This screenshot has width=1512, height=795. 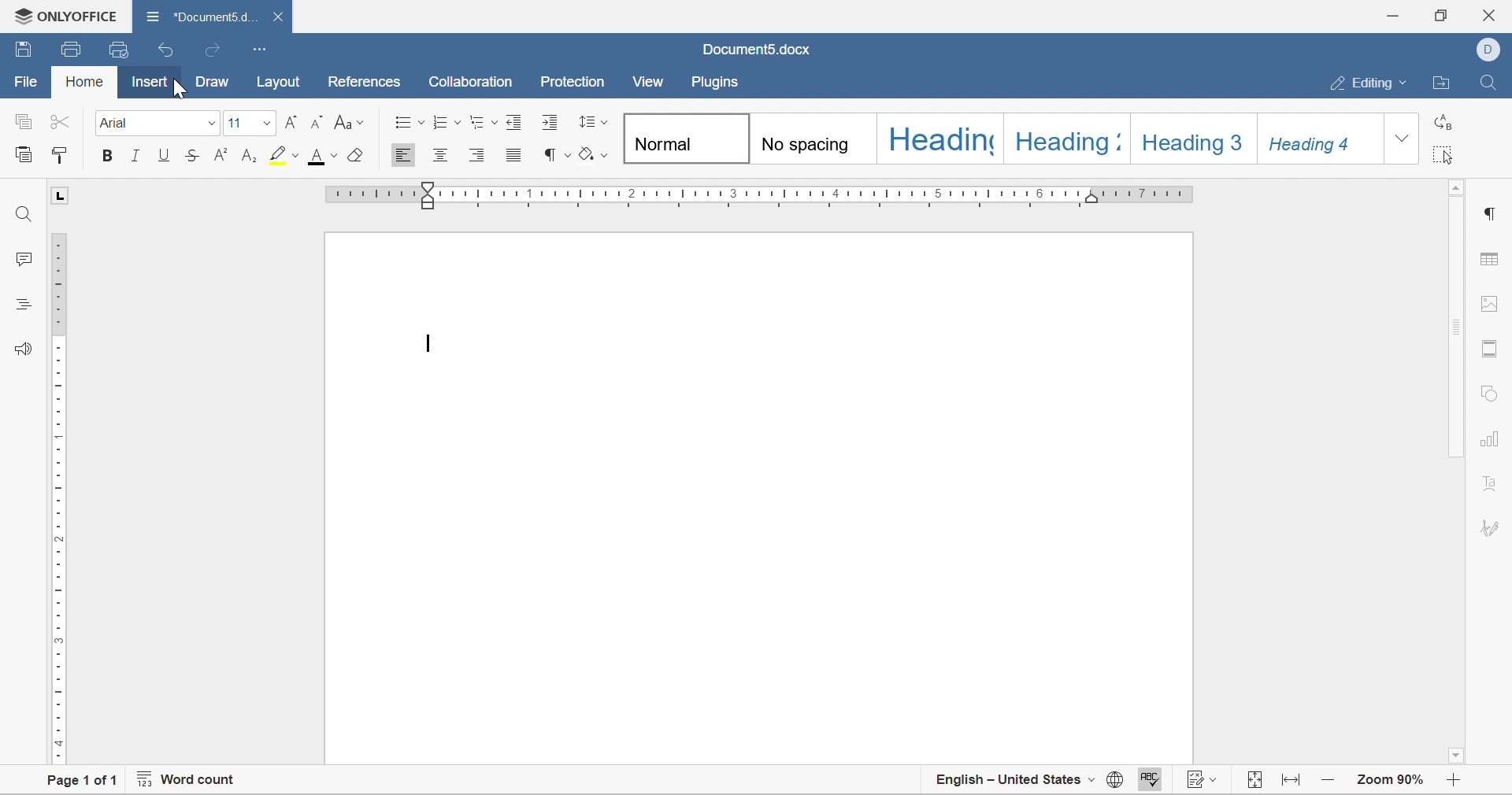 I want to click on types of headings, so click(x=999, y=140).